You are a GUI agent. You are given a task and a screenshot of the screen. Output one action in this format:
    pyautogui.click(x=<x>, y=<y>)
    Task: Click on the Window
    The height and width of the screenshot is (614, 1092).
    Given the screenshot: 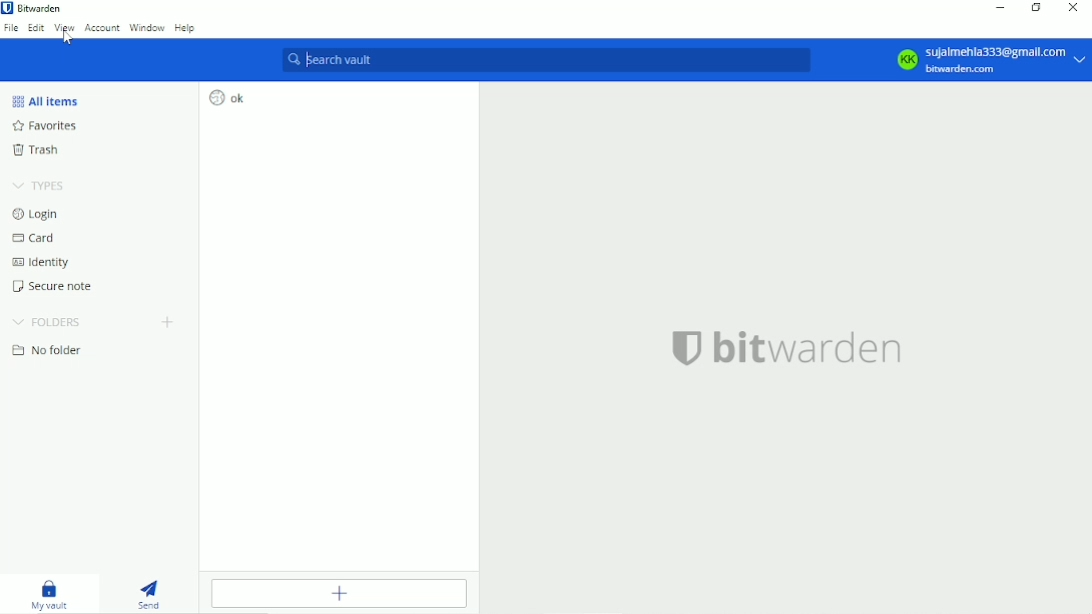 What is the action you would take?
    pyautogui.click(x=146, y=27)
    